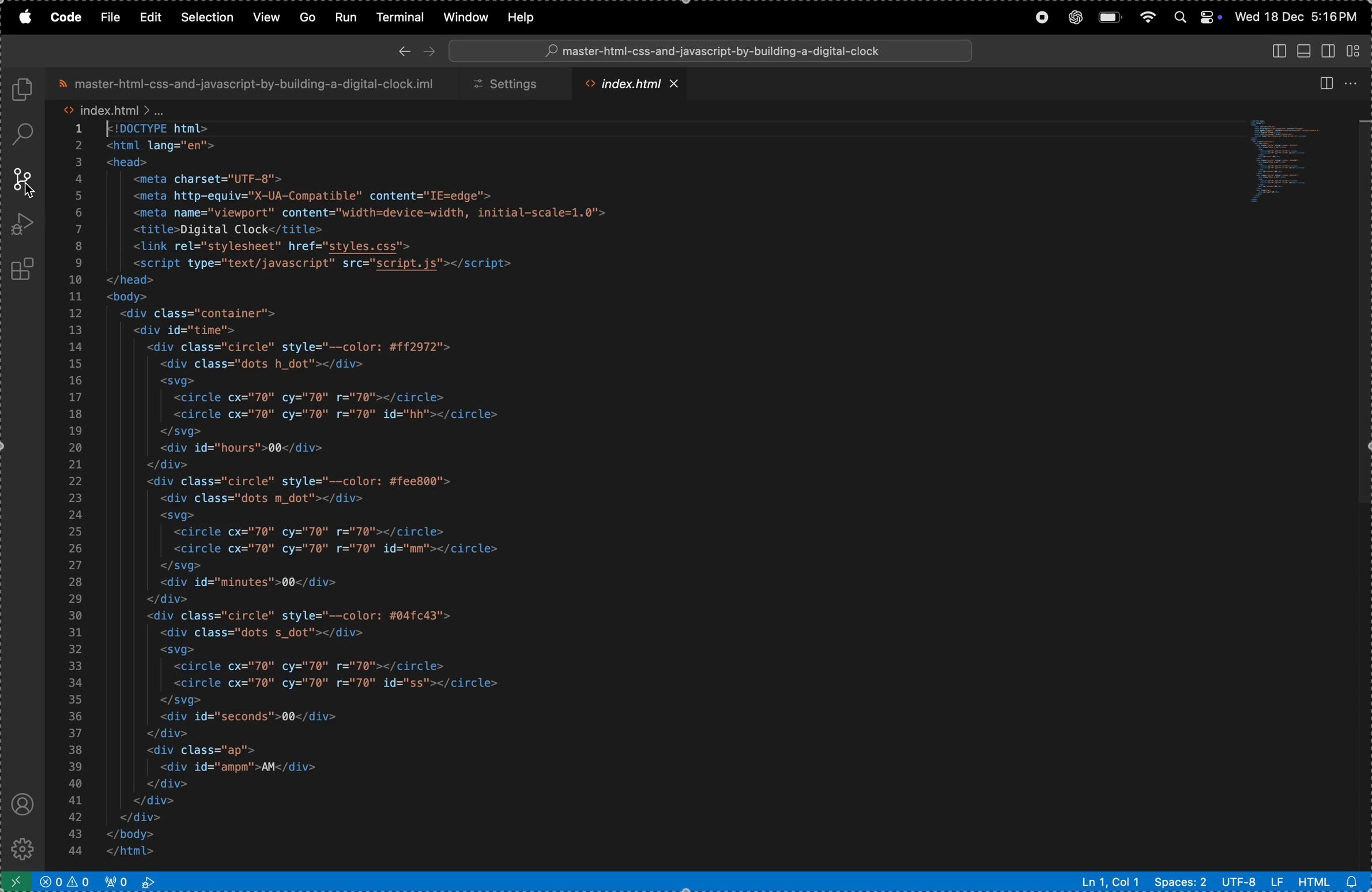 The height and width of the screenshot is (892, 1372). What do you see at coordinates (160, 128) in the screenshot?
I see `<!DOCTYPE html>` at bounding box center [160, 128].